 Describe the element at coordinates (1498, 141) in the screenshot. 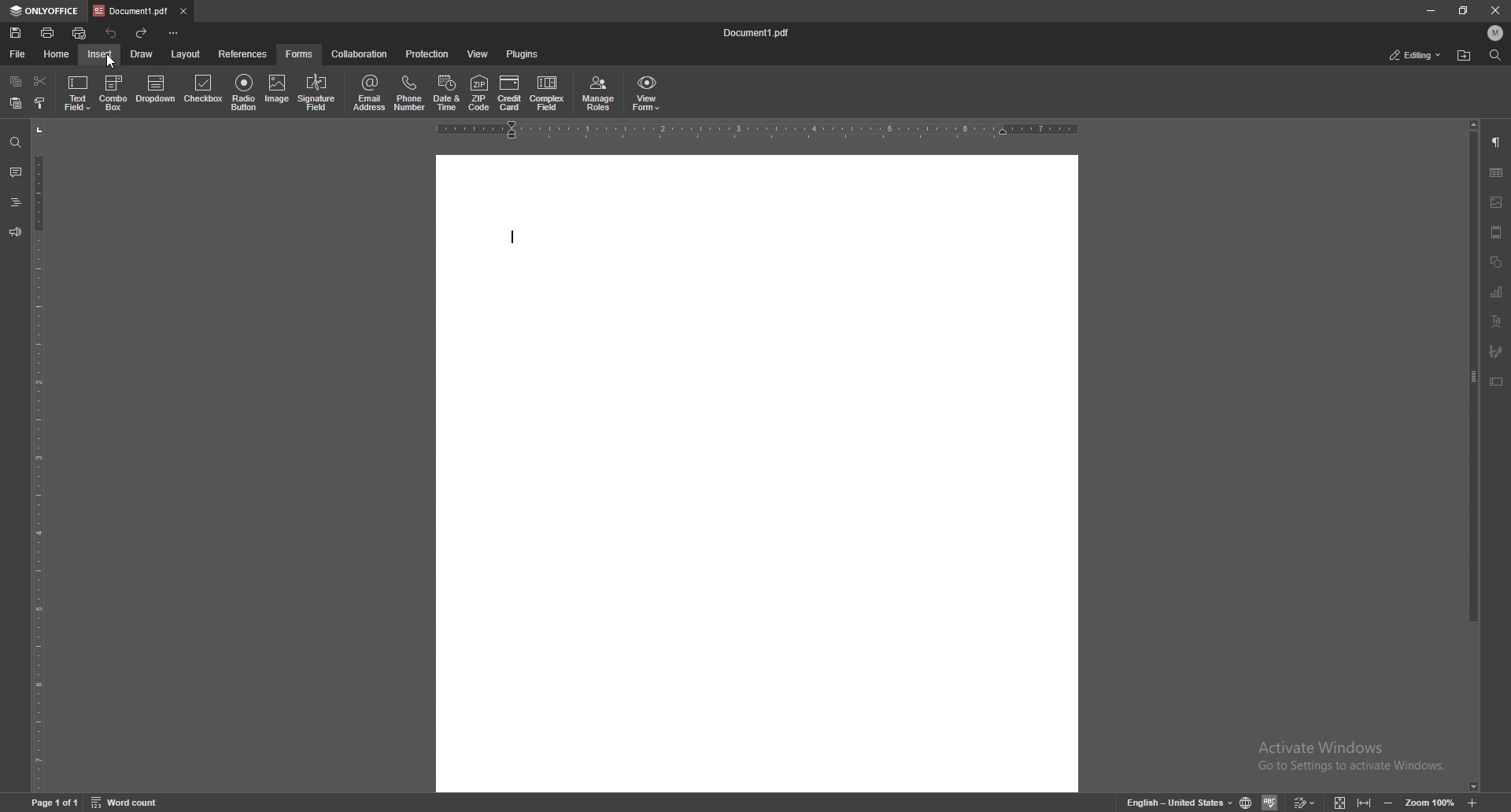

I see `paragraph` at that location.